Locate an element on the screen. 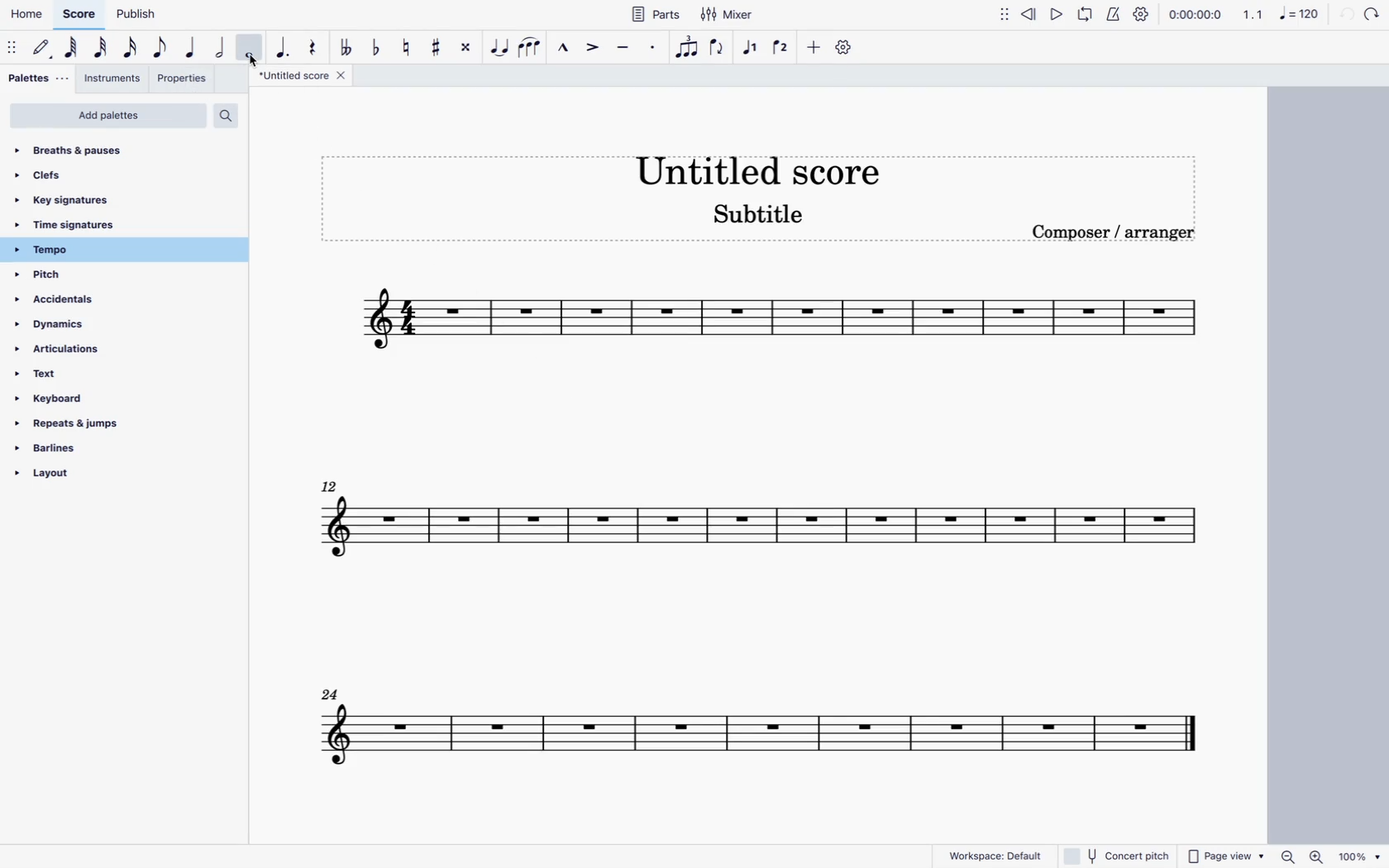  voice 2 is located at coordinates (780, 45).